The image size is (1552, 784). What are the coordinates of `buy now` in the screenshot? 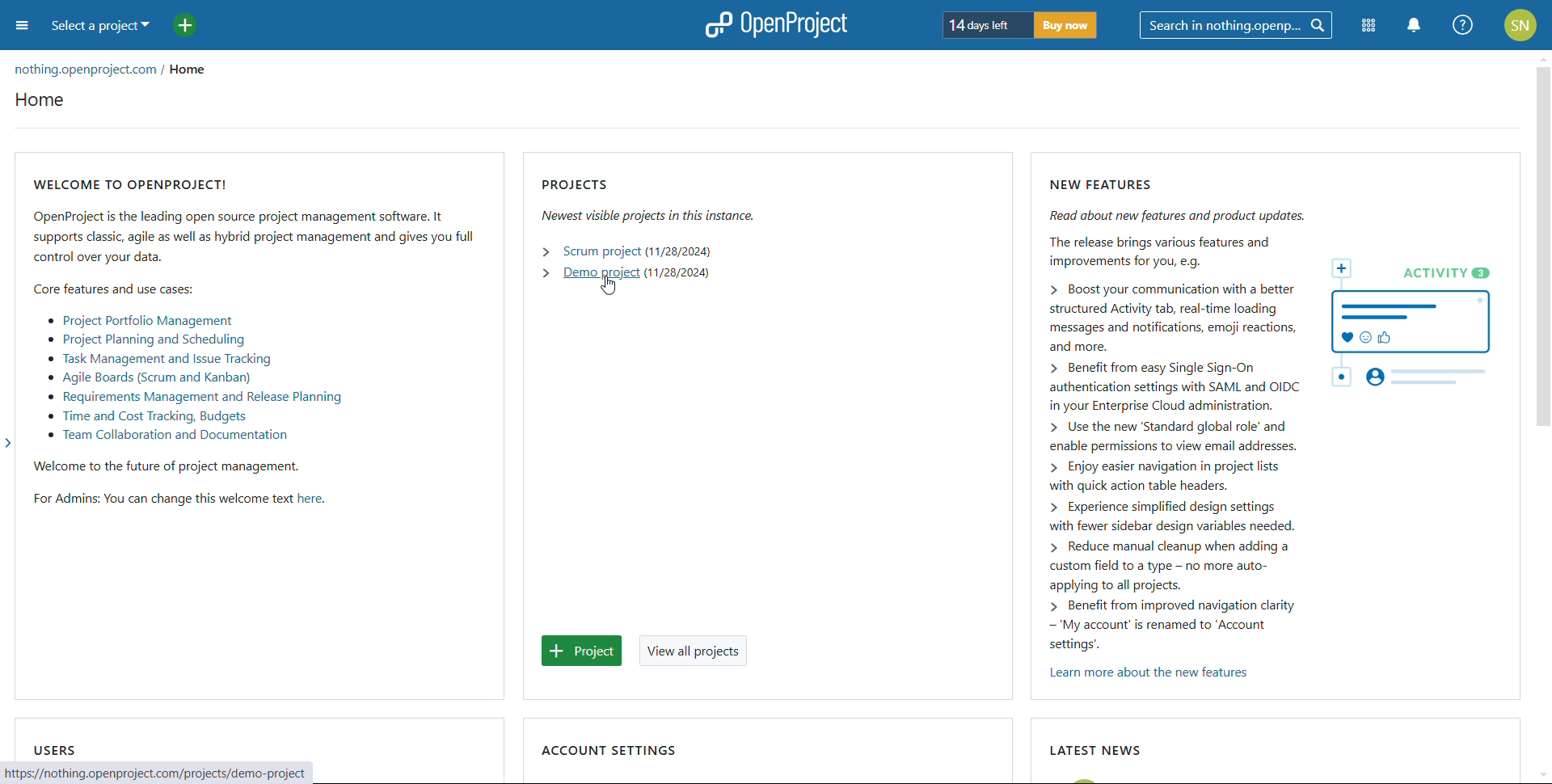 It's located at (1065, 25).